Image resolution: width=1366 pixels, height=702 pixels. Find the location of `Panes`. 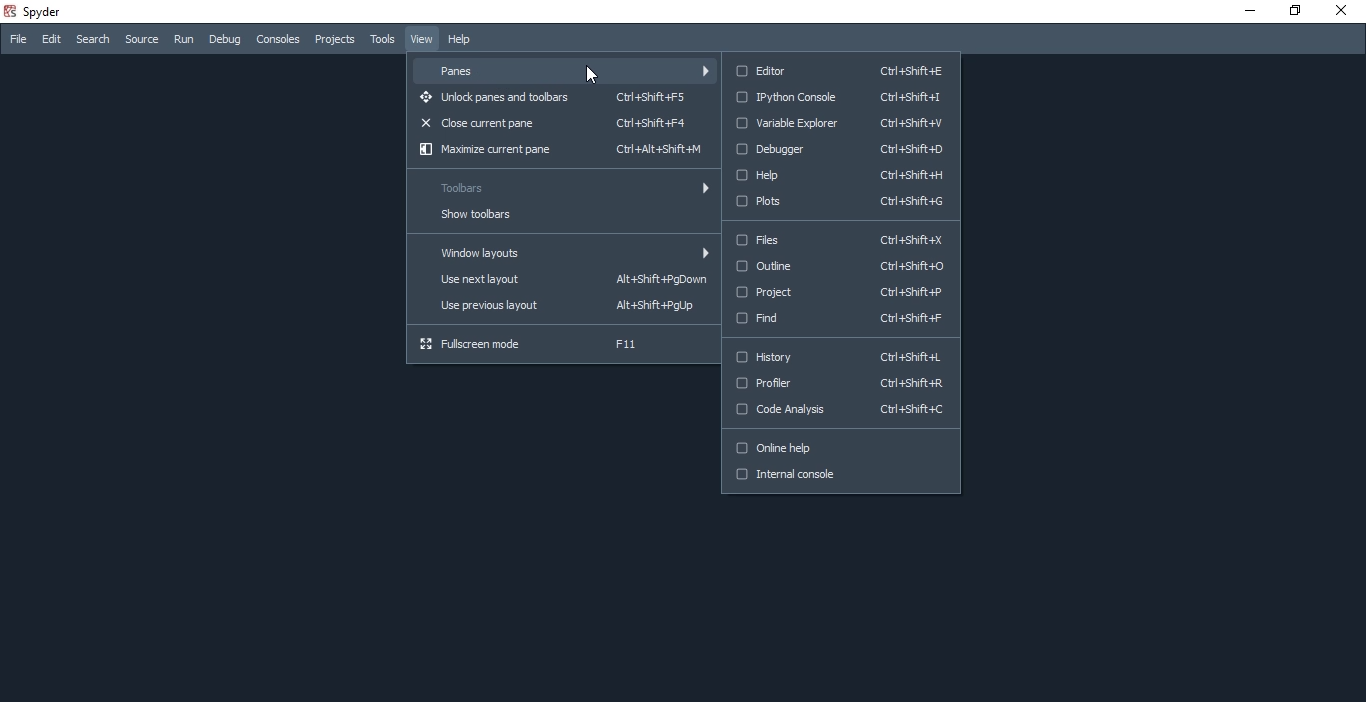

Panes is located at coordinates (564, 69).